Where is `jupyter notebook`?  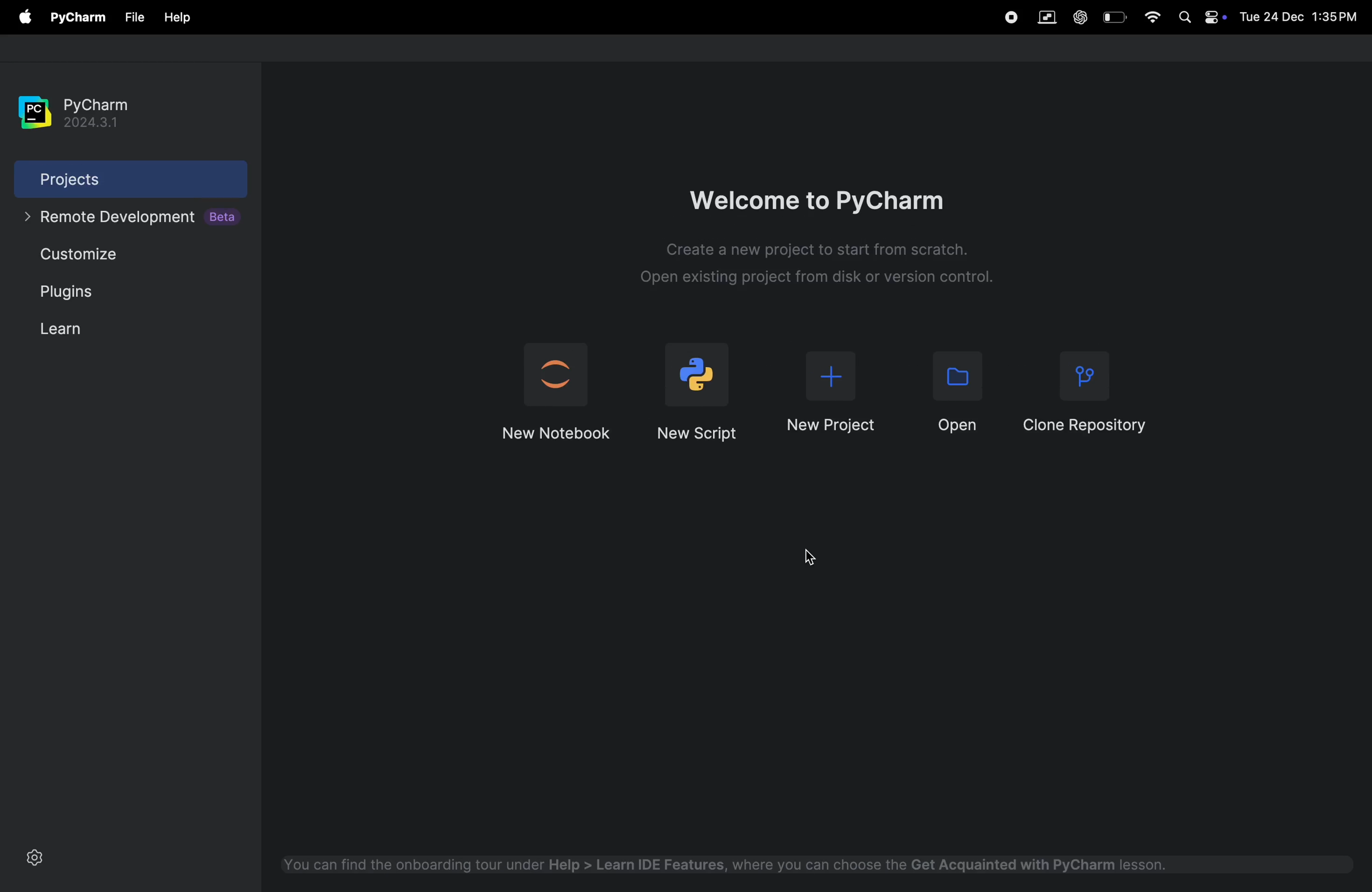 jupyter notebook is located at coordinates (555, 390).